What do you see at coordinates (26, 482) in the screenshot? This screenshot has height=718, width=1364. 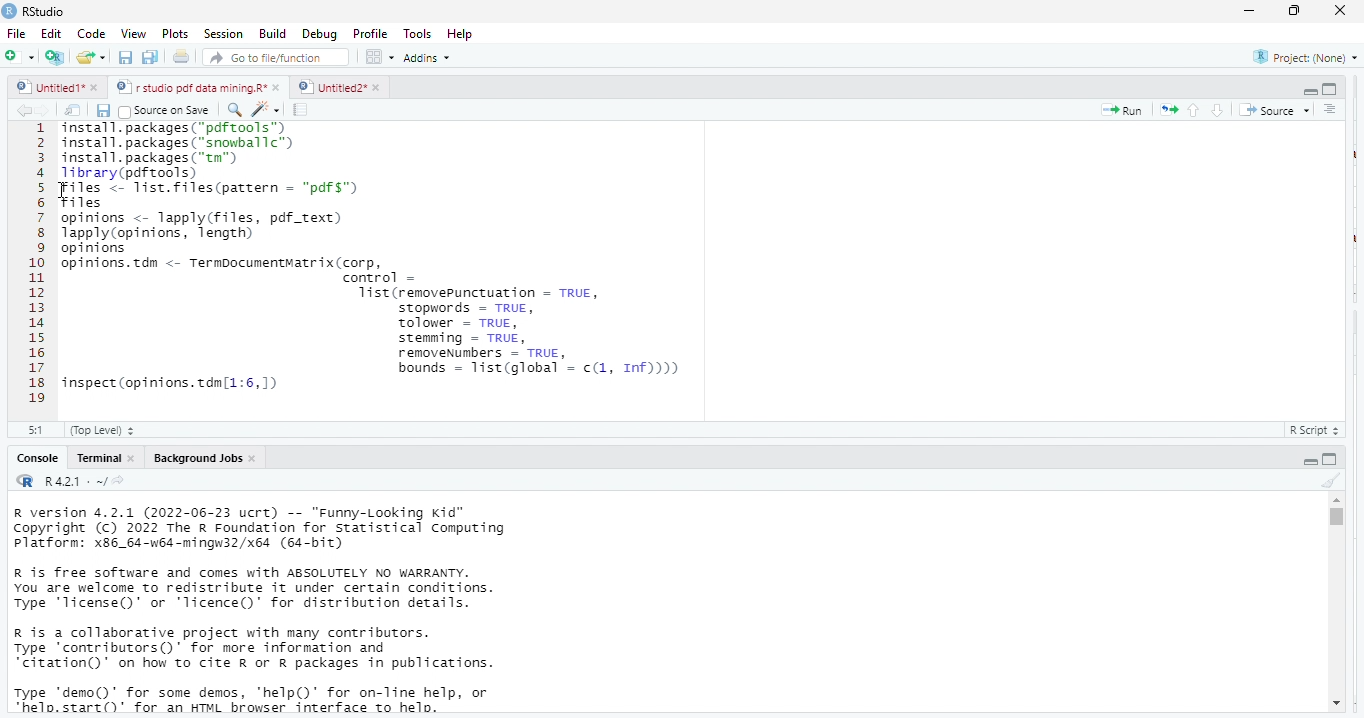 I see `rs studio` at bounding box center [26, 482].